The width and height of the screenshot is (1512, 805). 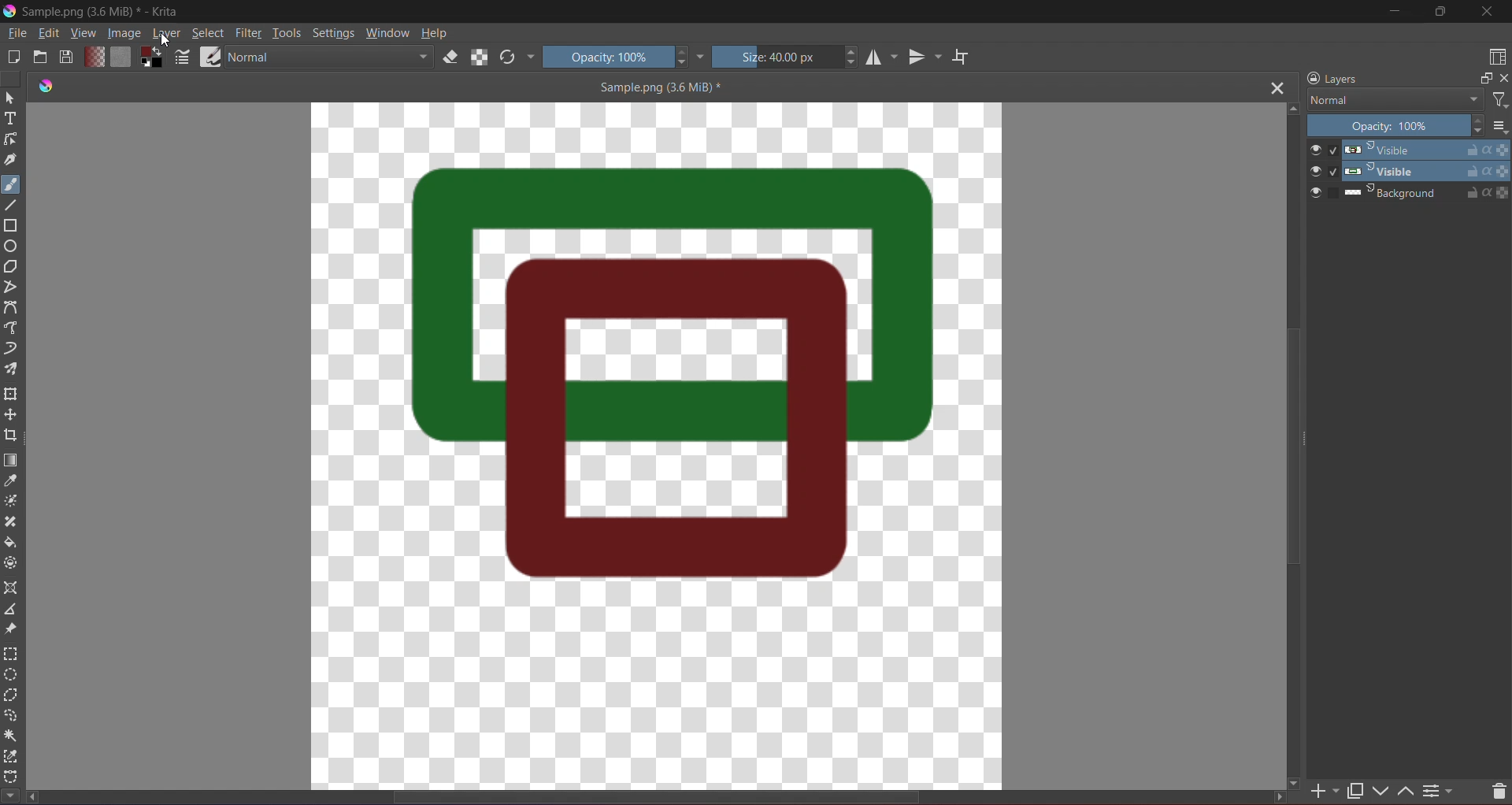 What do you see at coordinates (119, 56) in the screenshot?
I see `Fill Color` at bounding box center [119, 56].